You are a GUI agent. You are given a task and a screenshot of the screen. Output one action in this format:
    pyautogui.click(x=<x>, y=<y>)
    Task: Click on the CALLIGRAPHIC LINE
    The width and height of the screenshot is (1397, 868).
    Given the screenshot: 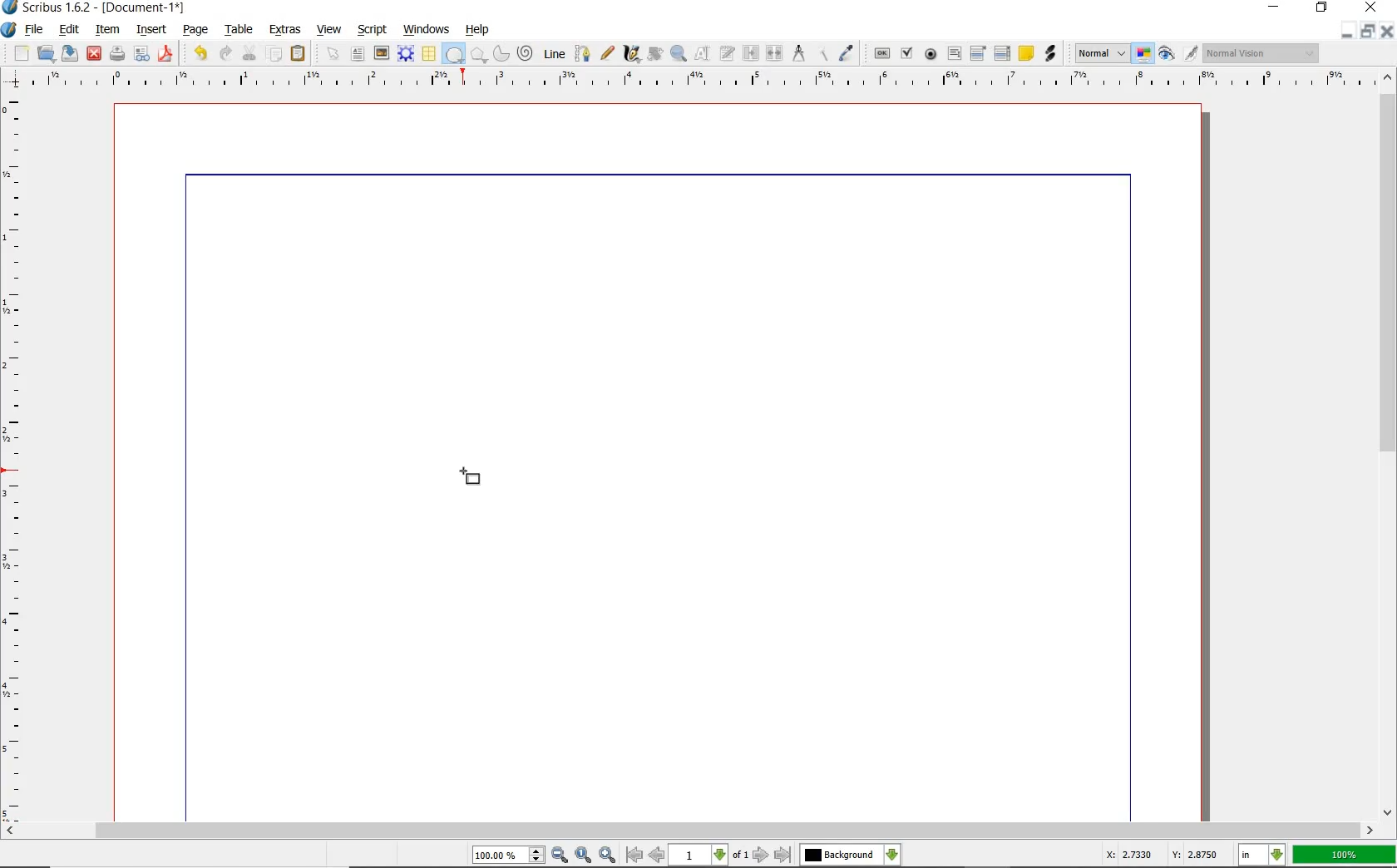 What is the action you would take?
    pyautogui.click(x=631, y=54)
    